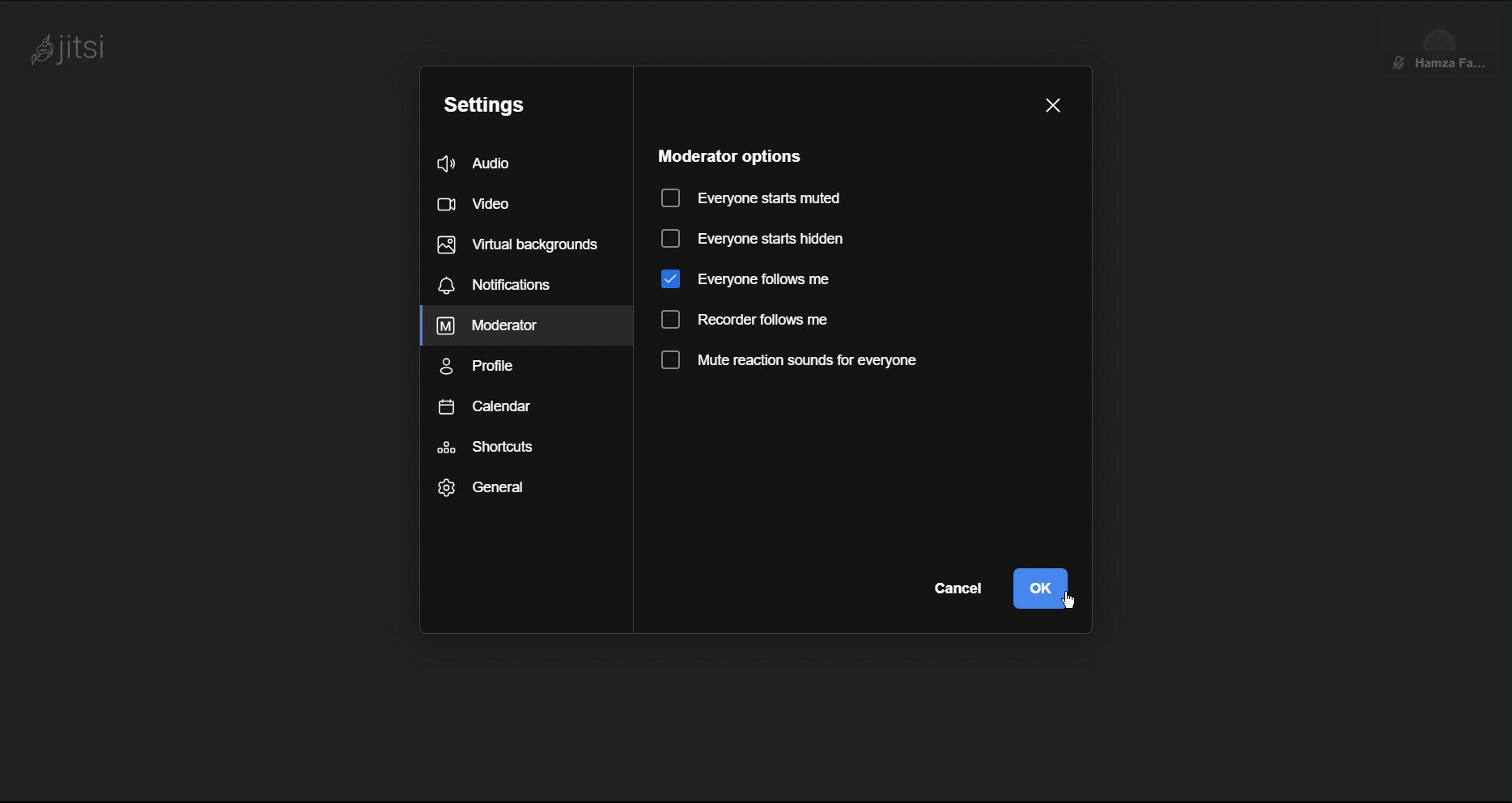 Image resolution: width=1512 pixels, height=803 pixels. Describe the element at coordinates (516, 243) in the screenshot. I see `Virtual backgrounds` at that location.